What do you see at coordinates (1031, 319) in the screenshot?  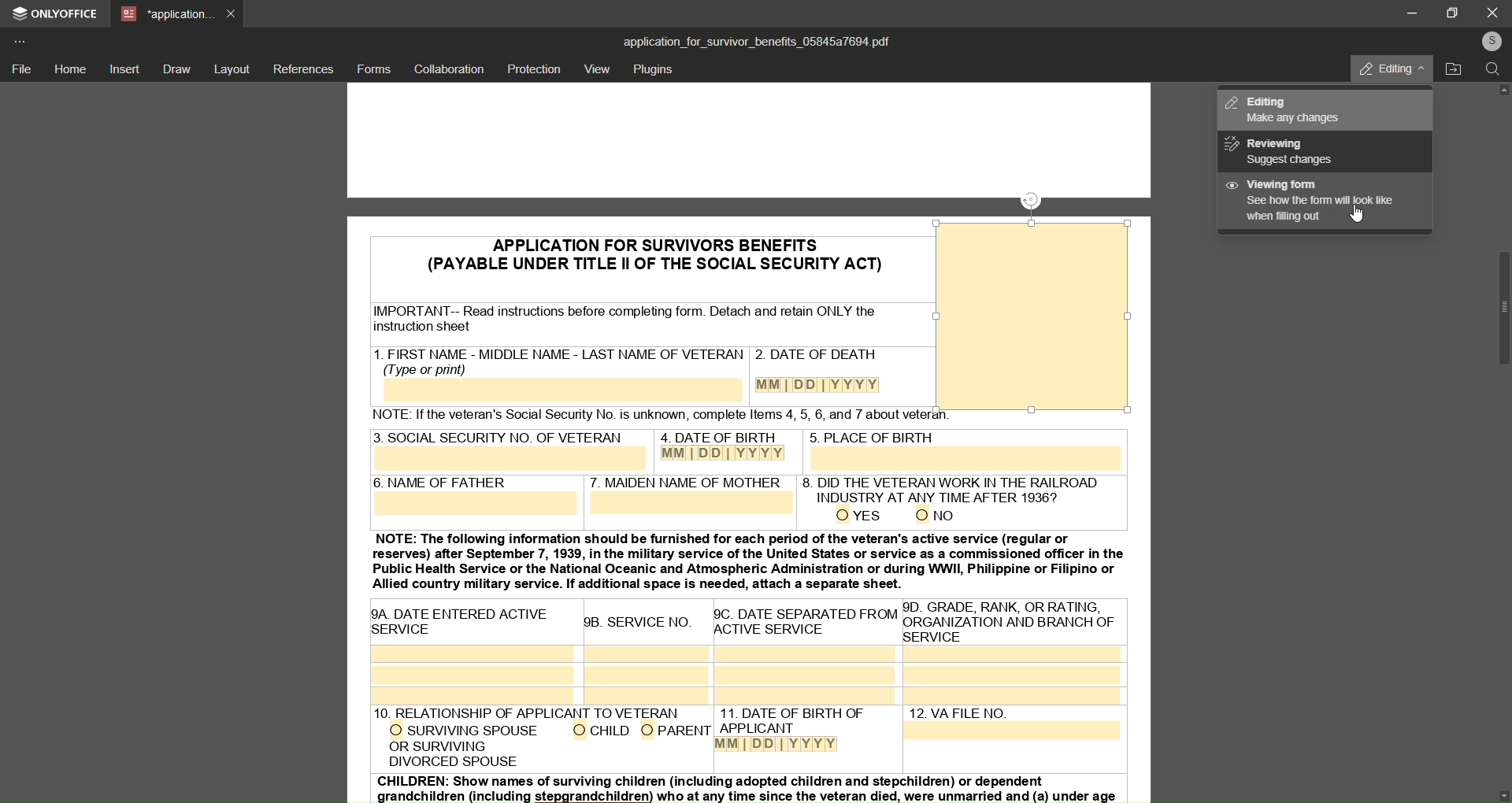 I see `profile picture space` at bounding box center [1031, 319].